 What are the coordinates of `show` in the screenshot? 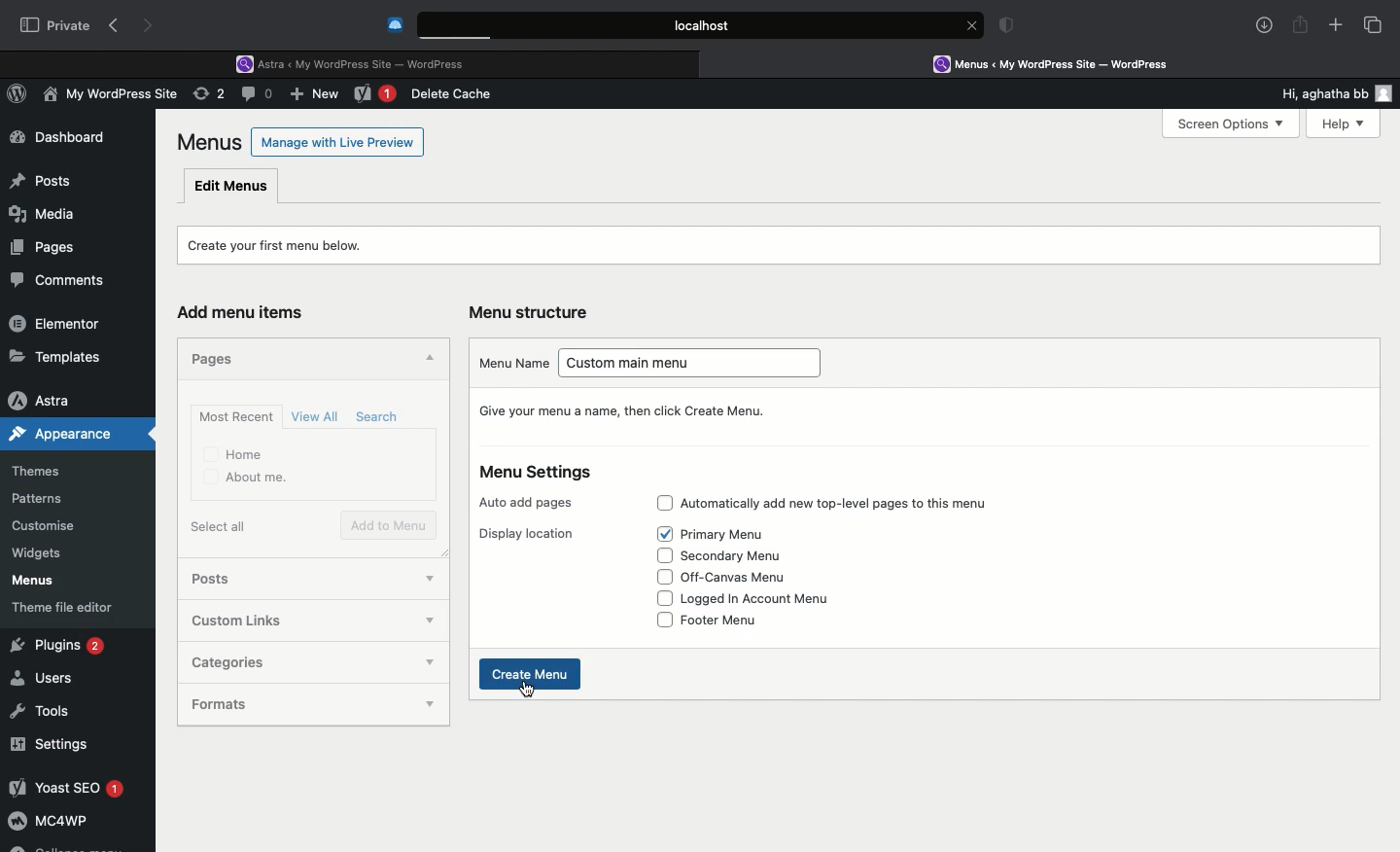 It's located at (422, 621).